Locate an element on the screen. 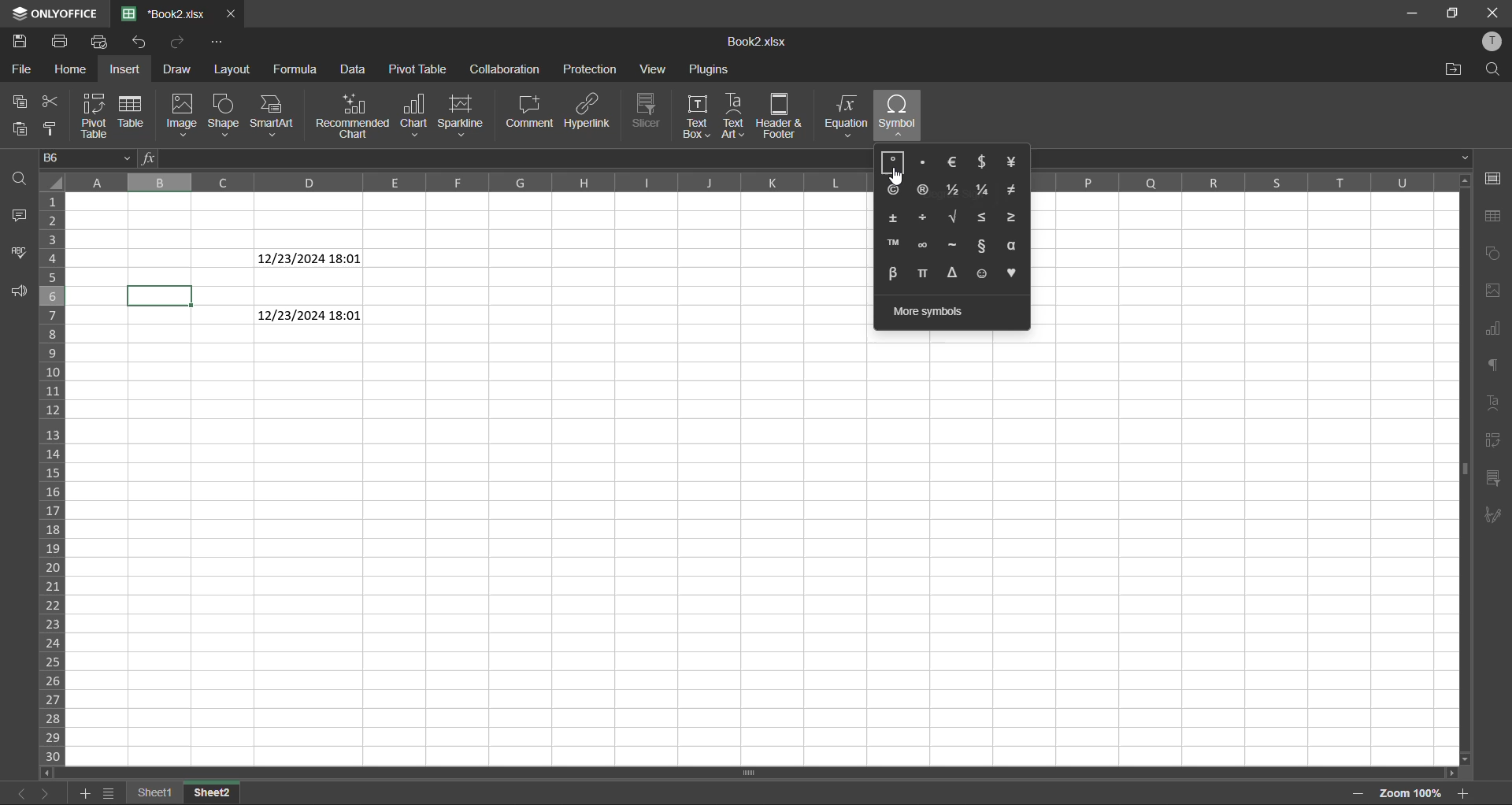 The height and width of the screenshot is (805, 1512). print is located at coordinates (60, 44).